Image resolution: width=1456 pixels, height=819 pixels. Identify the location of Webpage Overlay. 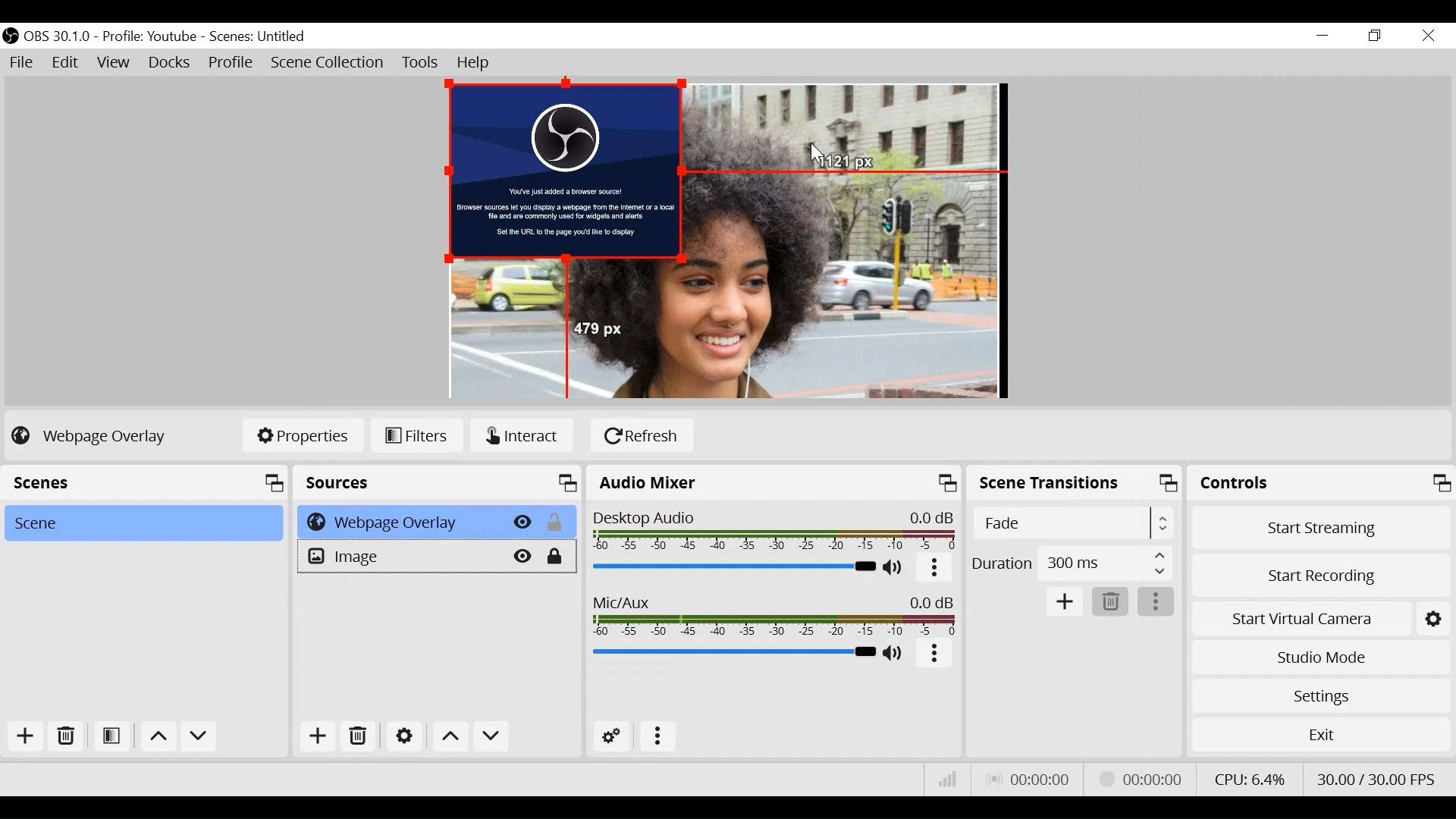
(401, 521).